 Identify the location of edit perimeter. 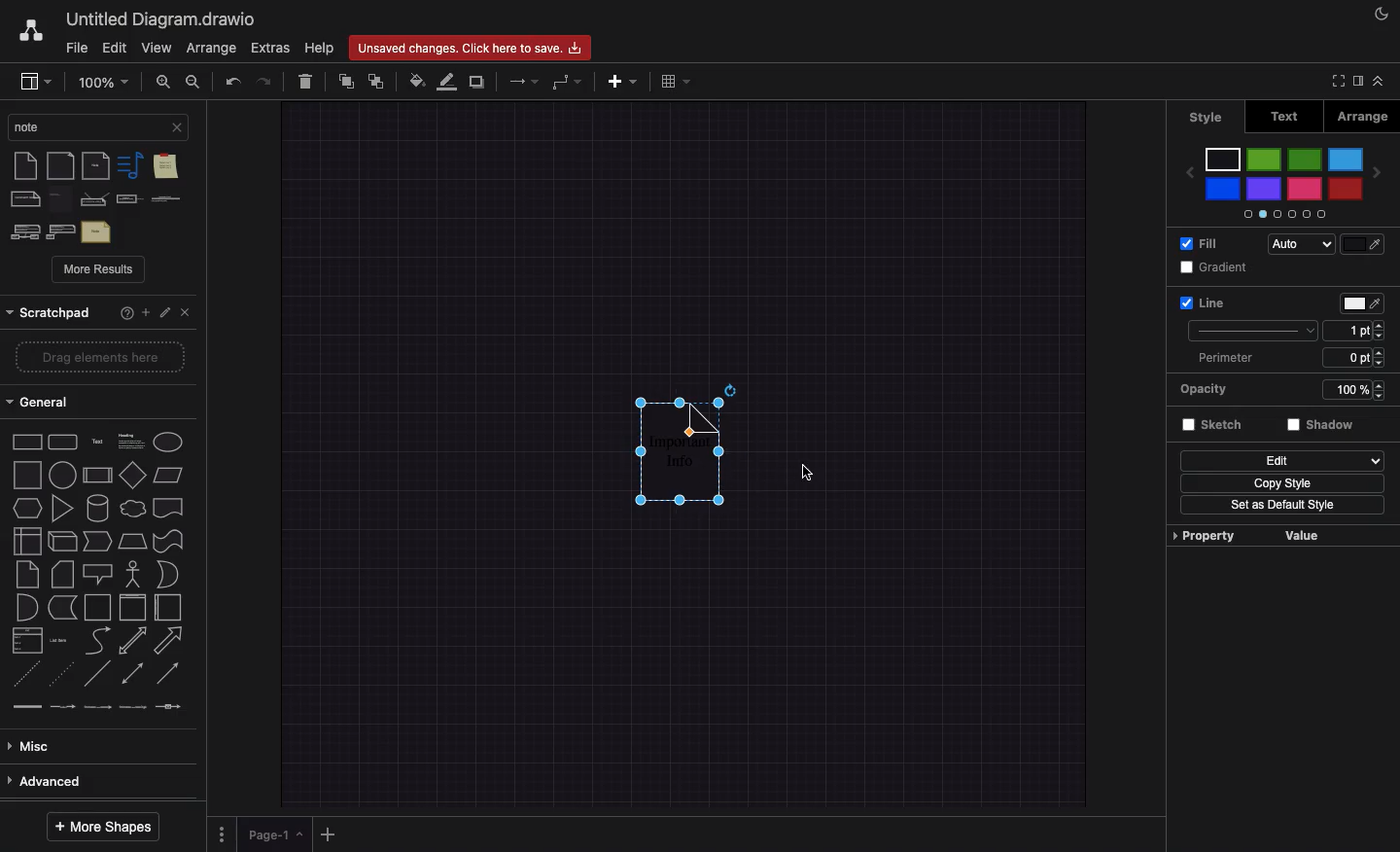
(1347, 357).